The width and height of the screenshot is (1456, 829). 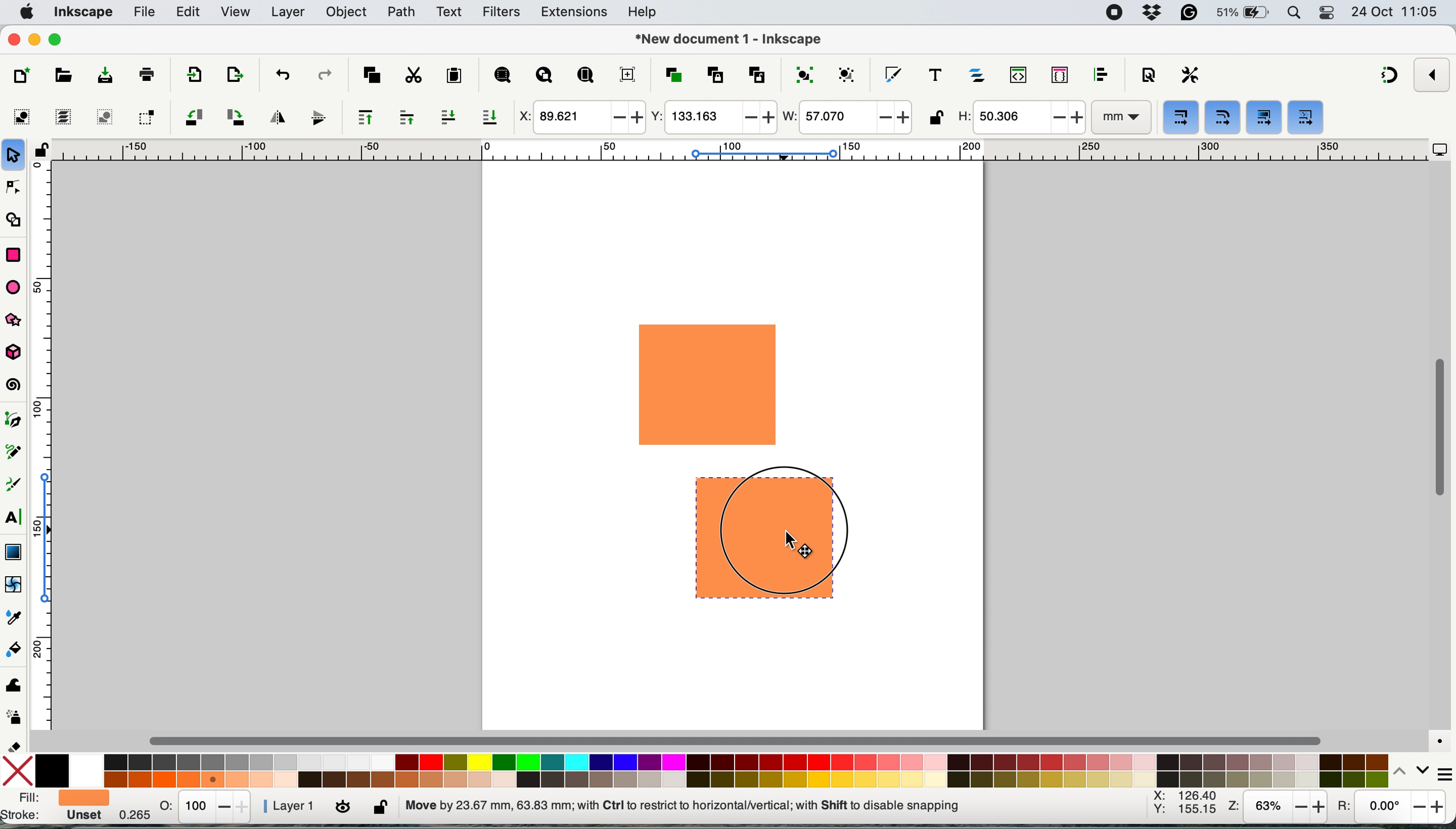 What do you see at coordinates (1119, 118) in the screenshot?
I see `mm` at bounding box center [1119, 118].